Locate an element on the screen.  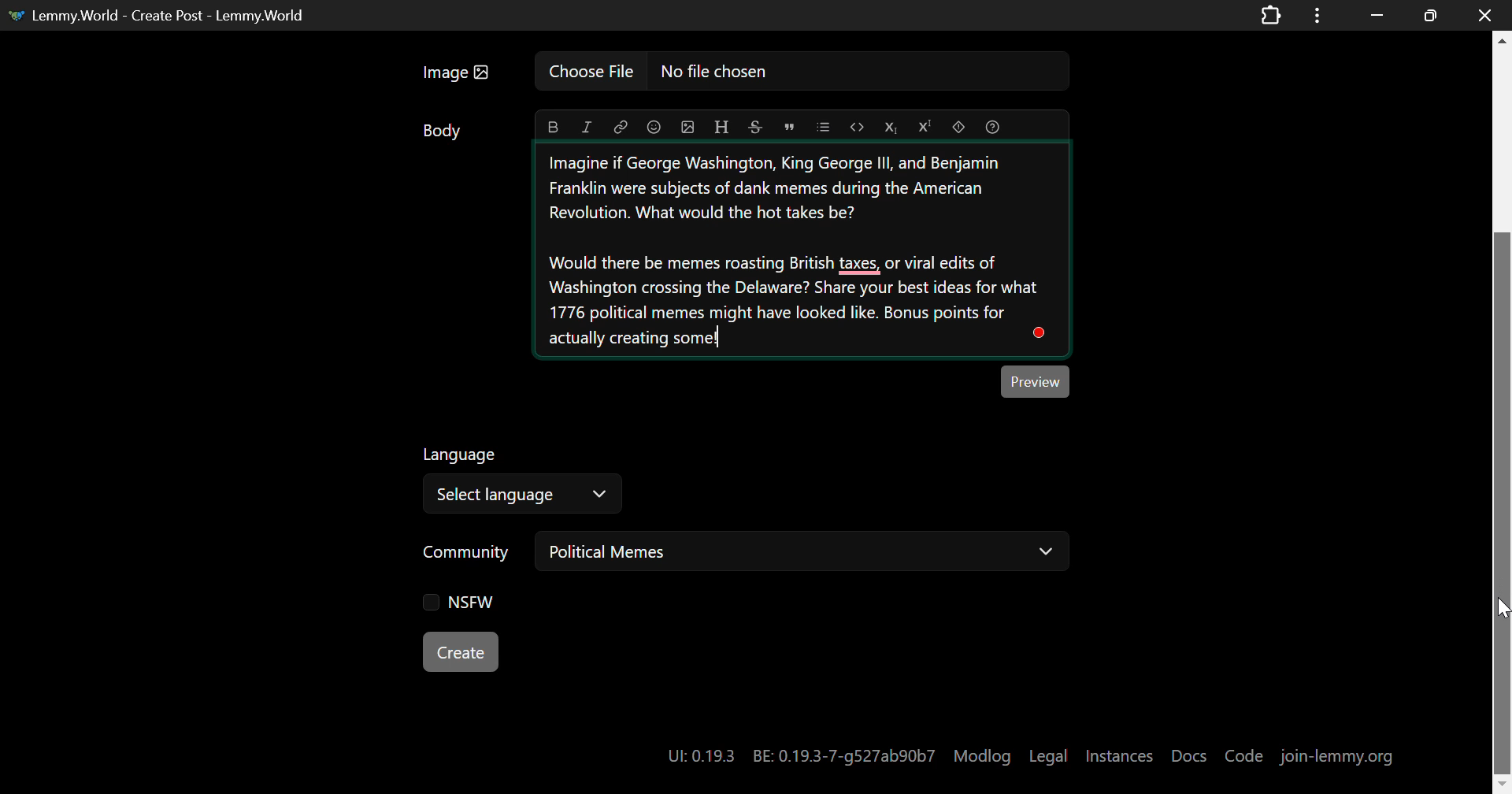
Formatting Help is located at coordinates (991, 128).